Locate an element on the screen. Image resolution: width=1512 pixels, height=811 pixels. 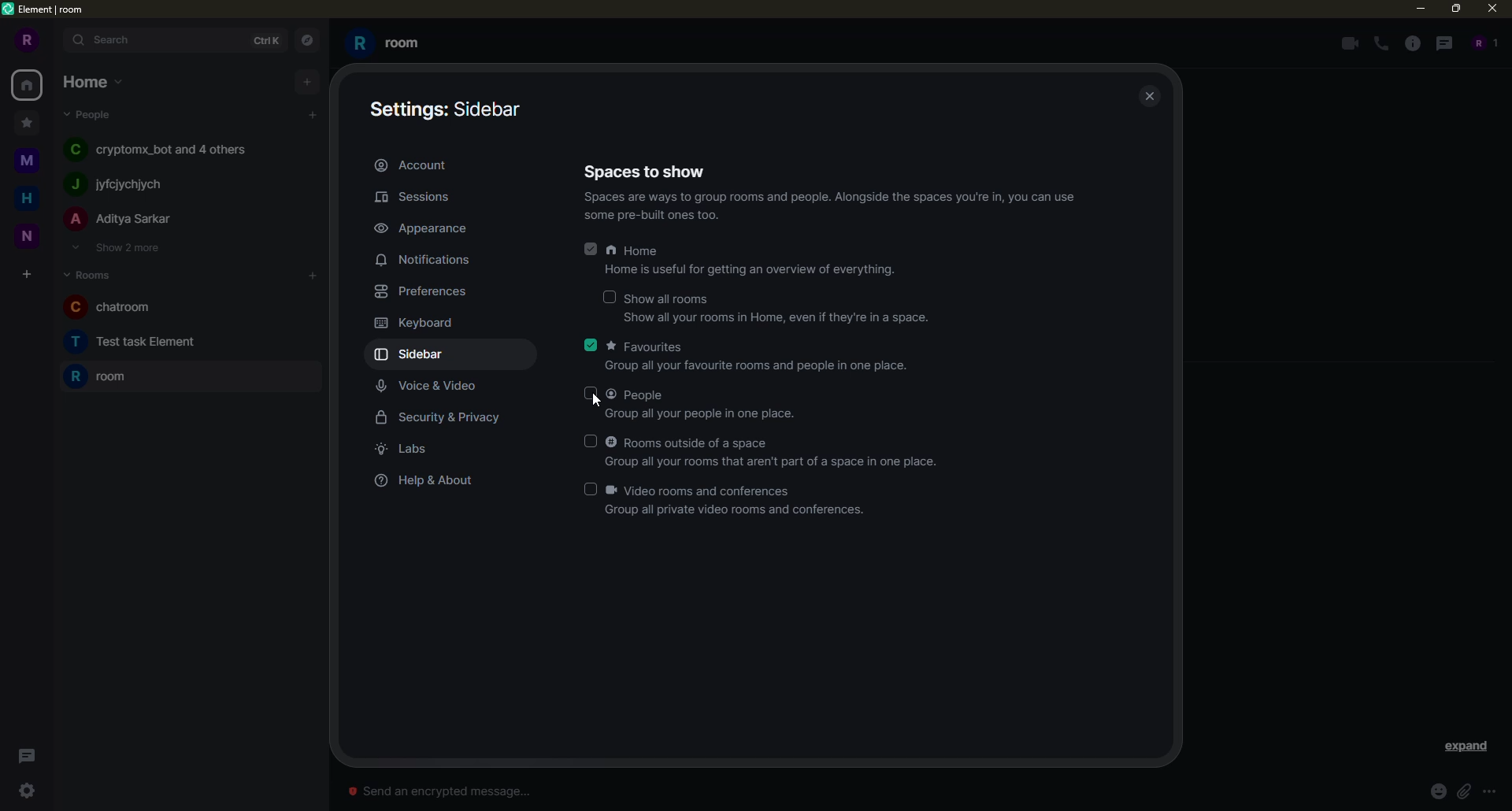
© Send an encrypted message... is located at coordinates (459, 791).